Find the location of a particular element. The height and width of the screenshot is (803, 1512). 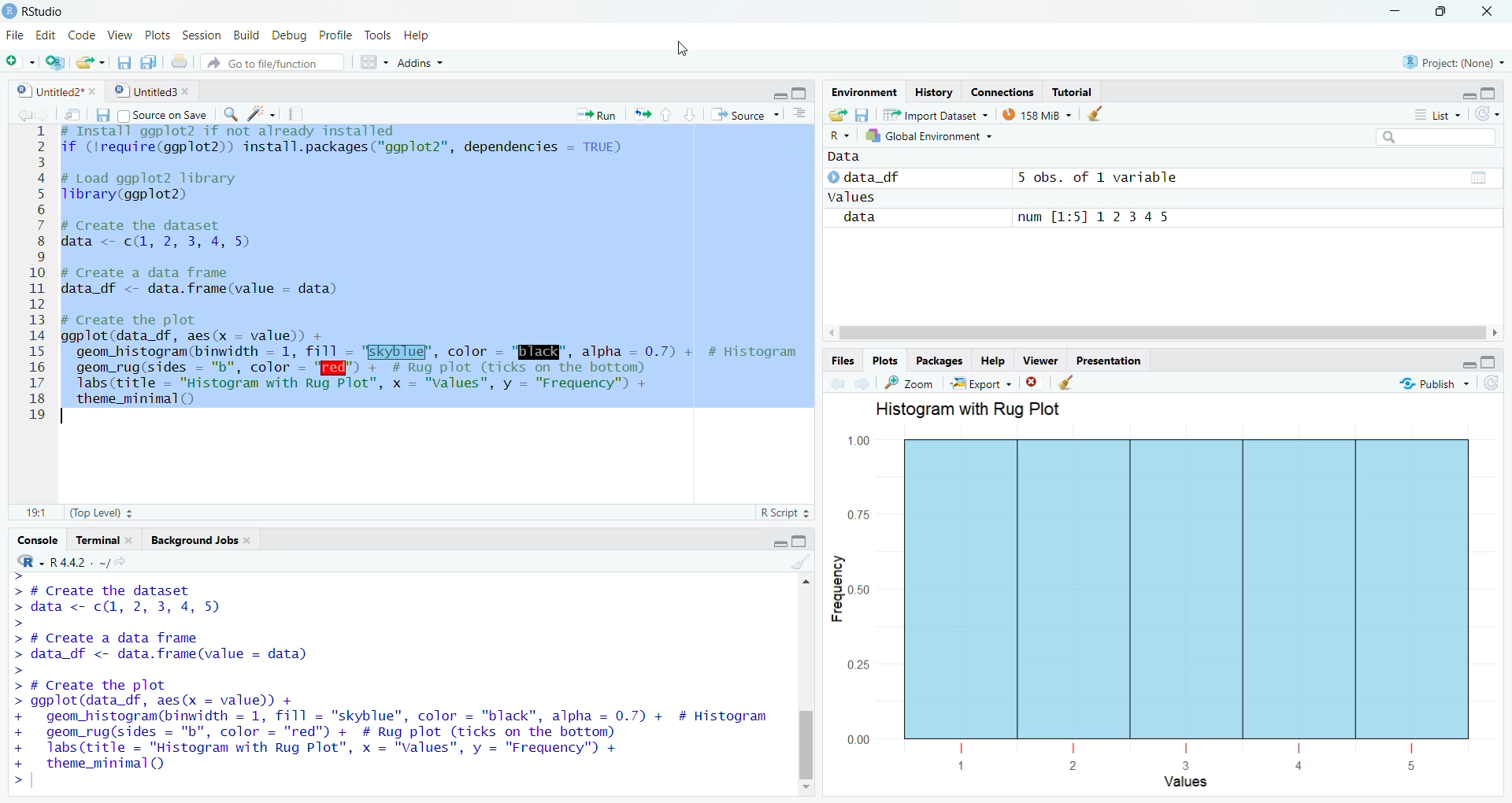

rerun is located at coordinates (642, 116).